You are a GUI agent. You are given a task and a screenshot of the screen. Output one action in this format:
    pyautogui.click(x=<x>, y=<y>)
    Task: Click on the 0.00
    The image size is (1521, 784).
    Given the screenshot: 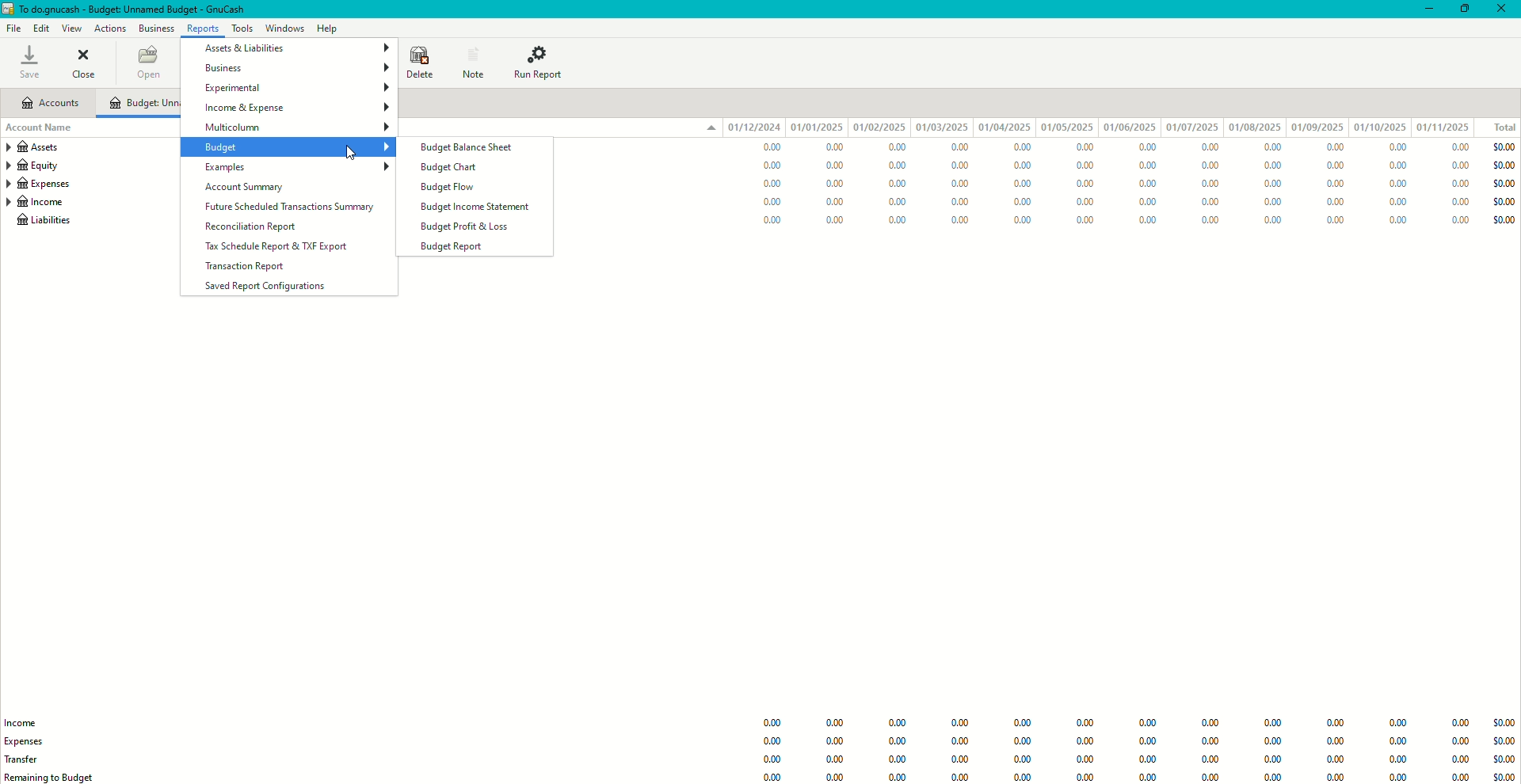 What is the action you would take?
    pyautogui.click(x=1024, y=222)
    